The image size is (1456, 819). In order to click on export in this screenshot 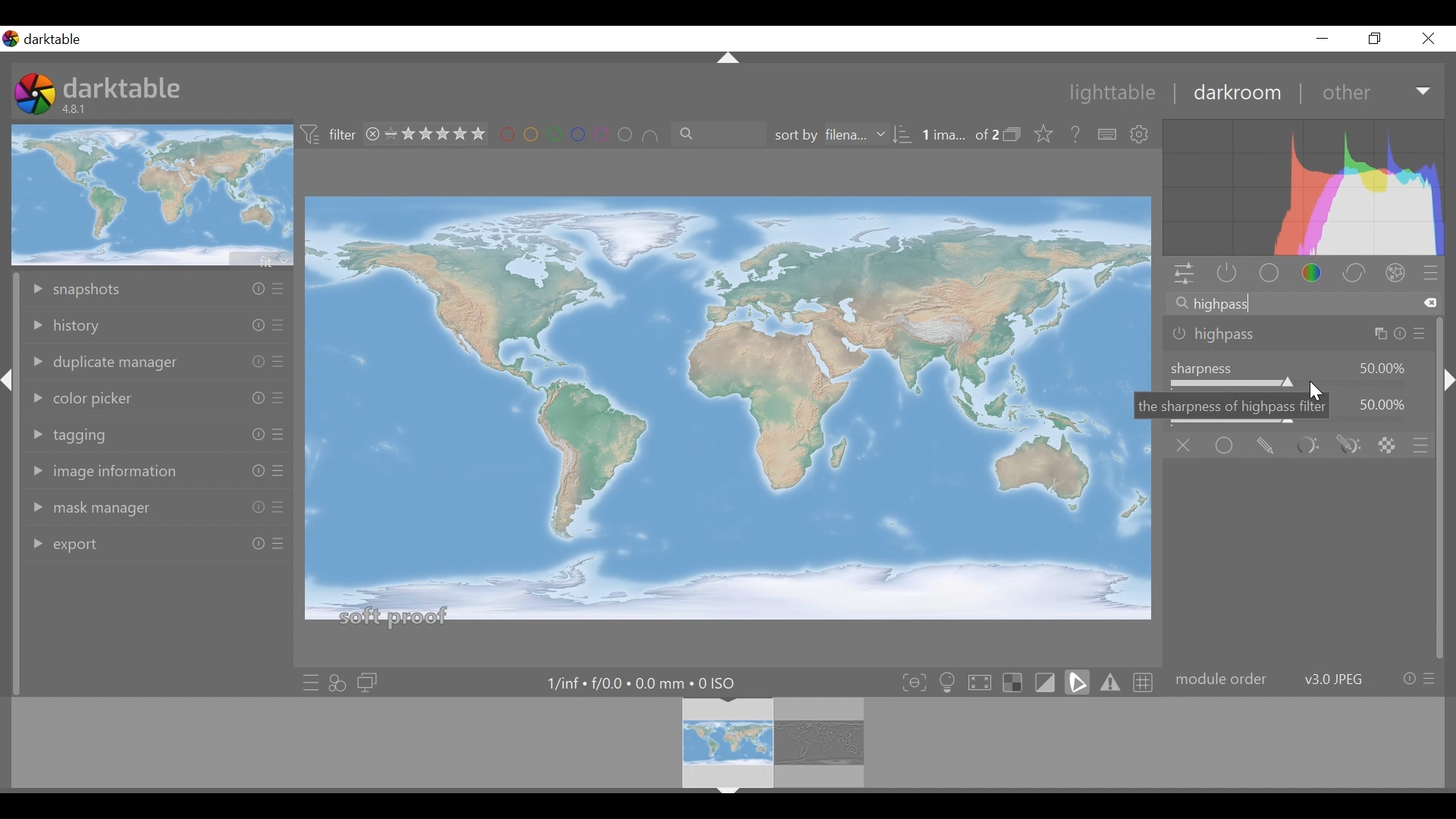, I will do `click(155, 541)`.